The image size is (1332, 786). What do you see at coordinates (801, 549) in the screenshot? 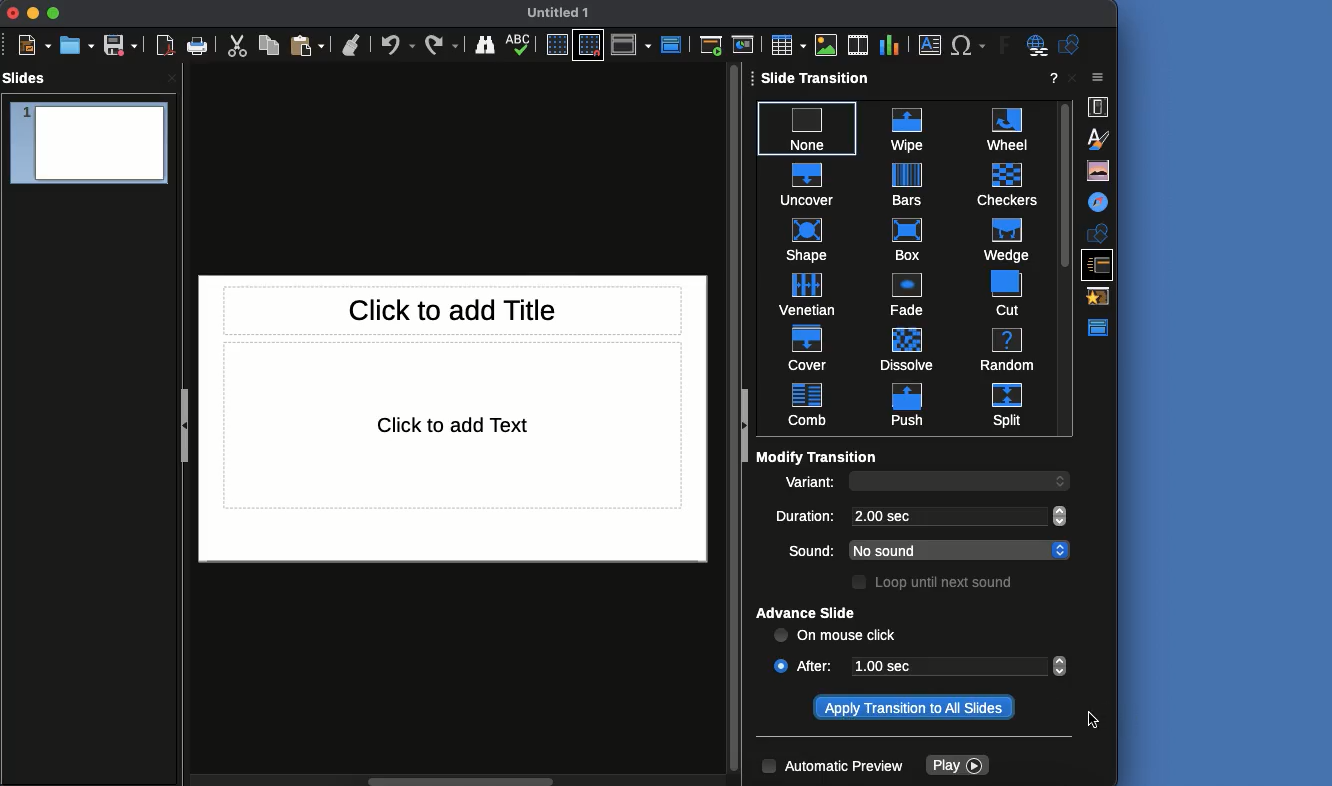
I see `sound:` at bounding box center [801, 549].